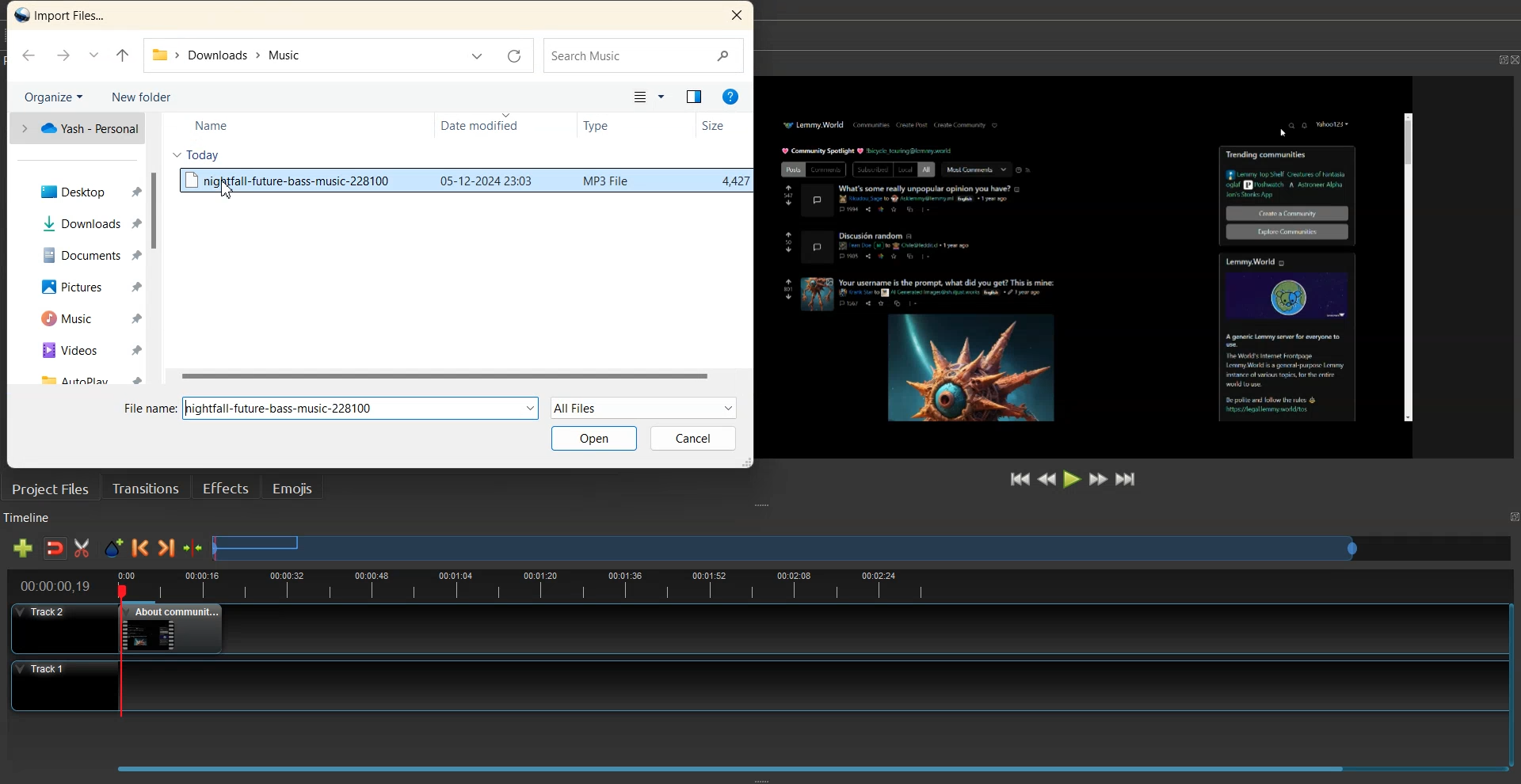 The width and height of the screenshot is (1521, 784). Describe the element at coordinates (459, 375) in the screenshot. I see `Horizontal Scrollbar` at that location.